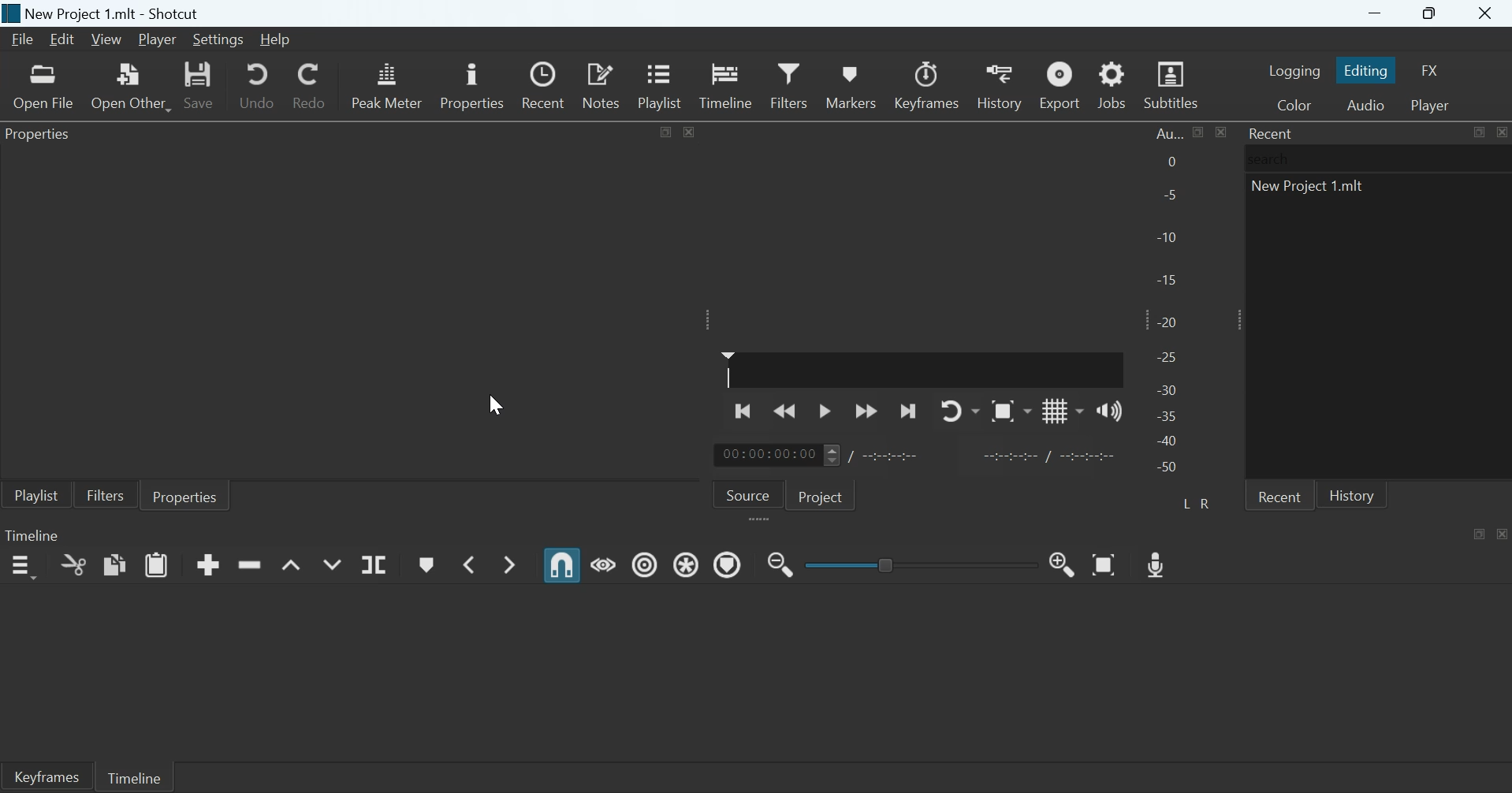 This screenshot has height=793, width=1512. Describe the element at coordinates (745, 409) in the screenshot. I see `Skip to the previous point` at that location.